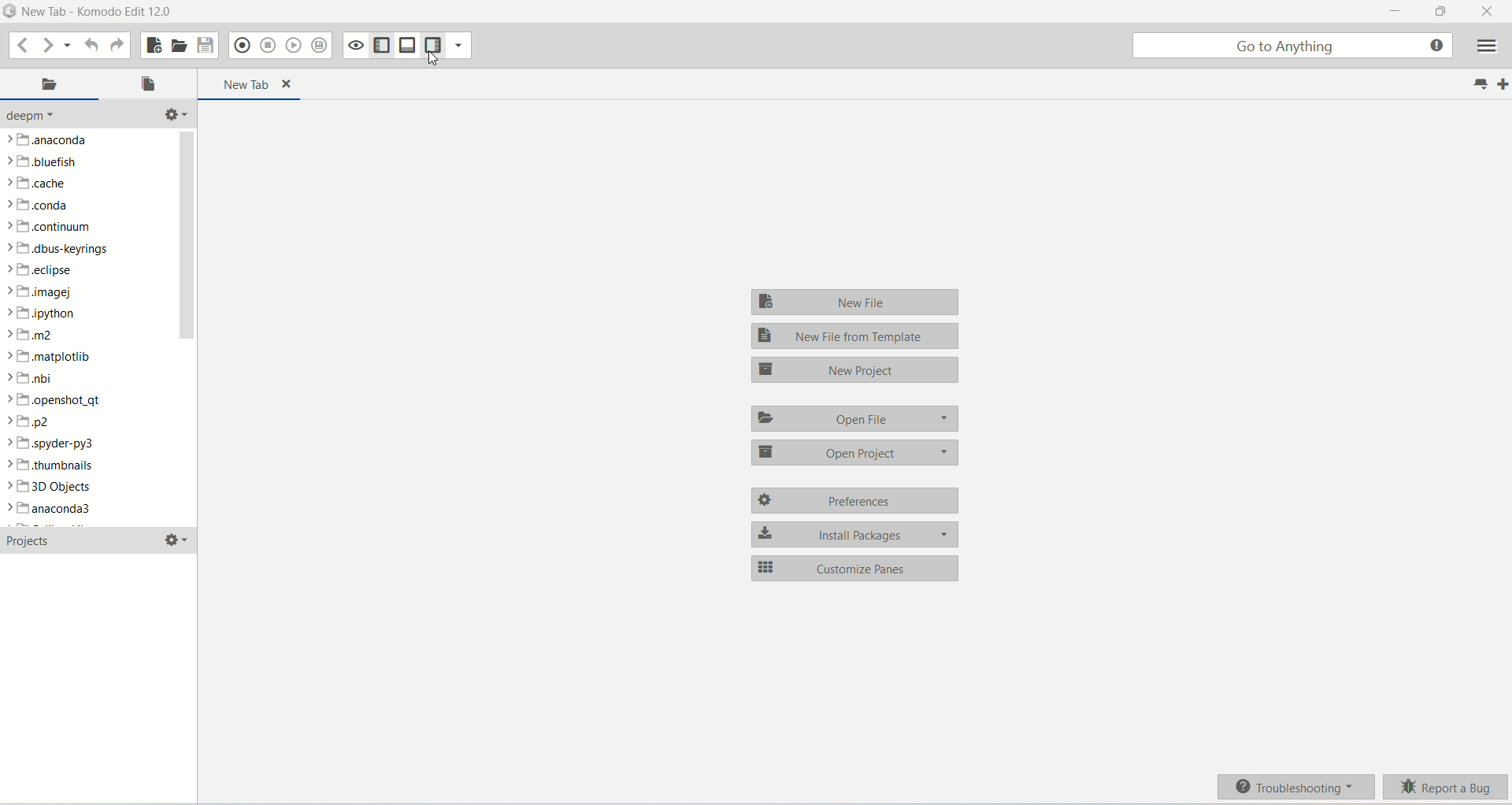  What do you see at coordinates (1398, 11) in the screenshot?
I see `minimize` at bounding box center [1398, 11].